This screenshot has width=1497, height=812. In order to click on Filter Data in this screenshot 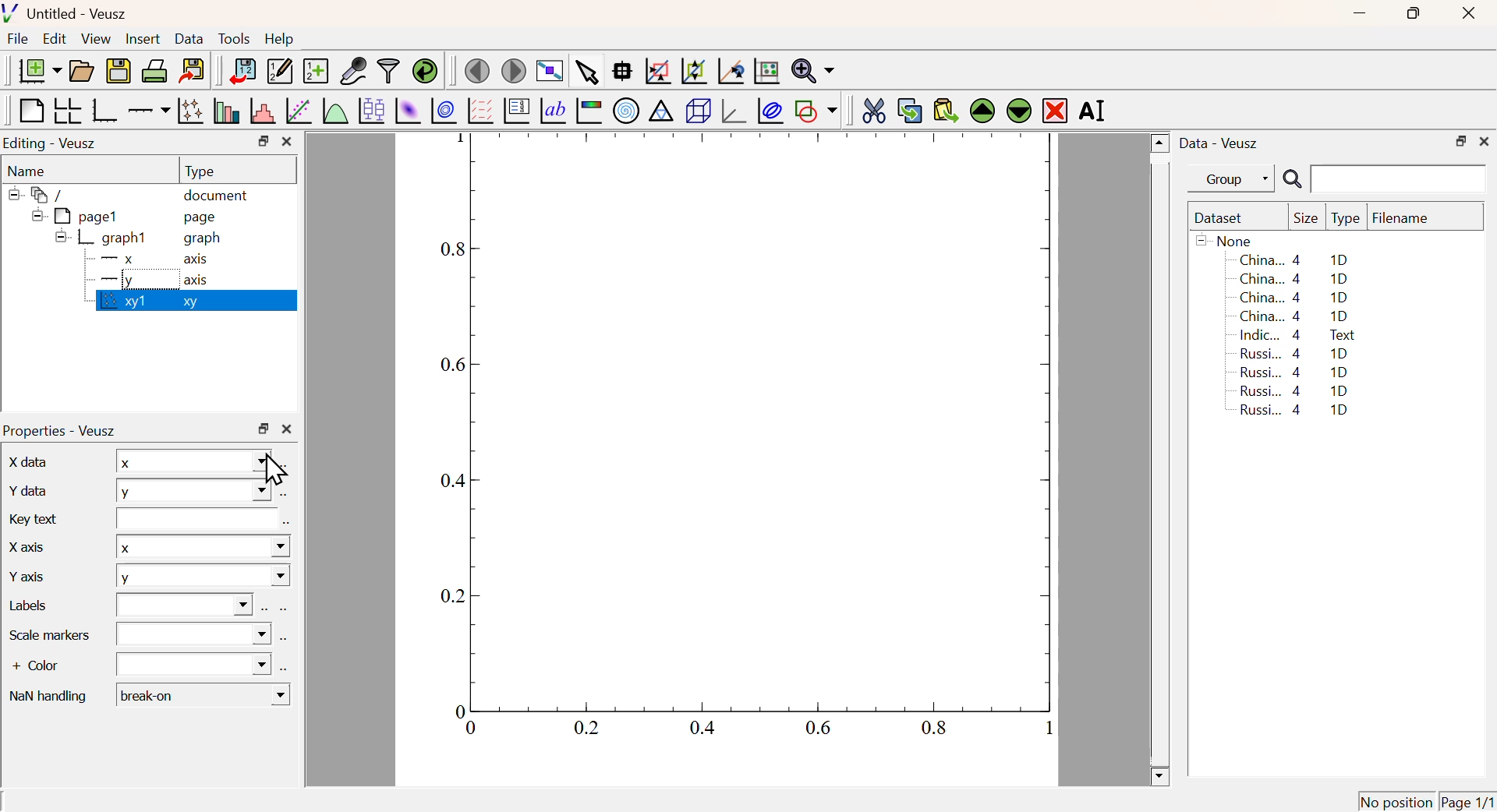, I will do `click(388, 69)`.